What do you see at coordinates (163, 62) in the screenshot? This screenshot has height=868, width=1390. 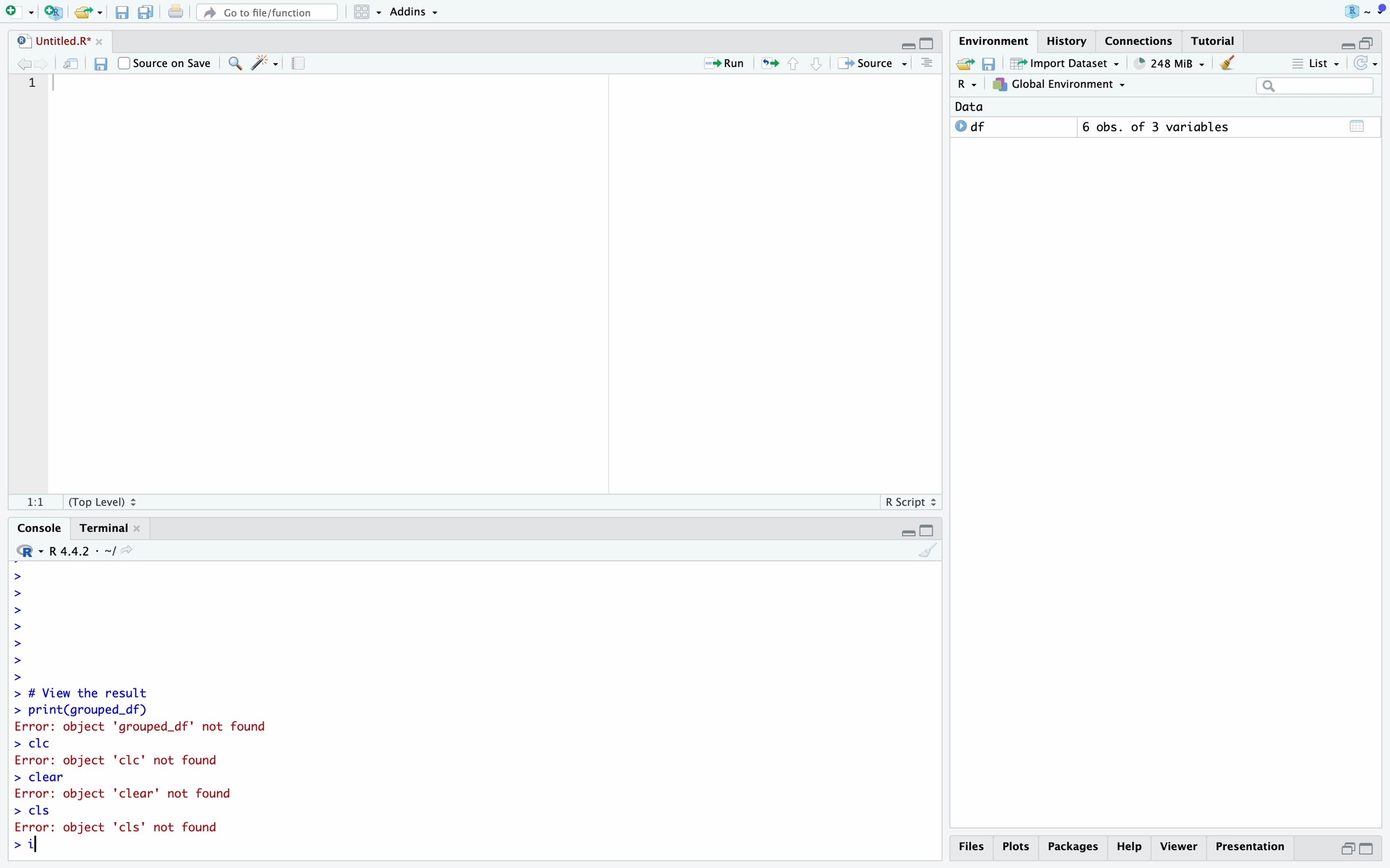 I see `Source on Save` at bounding box center [163, 62].